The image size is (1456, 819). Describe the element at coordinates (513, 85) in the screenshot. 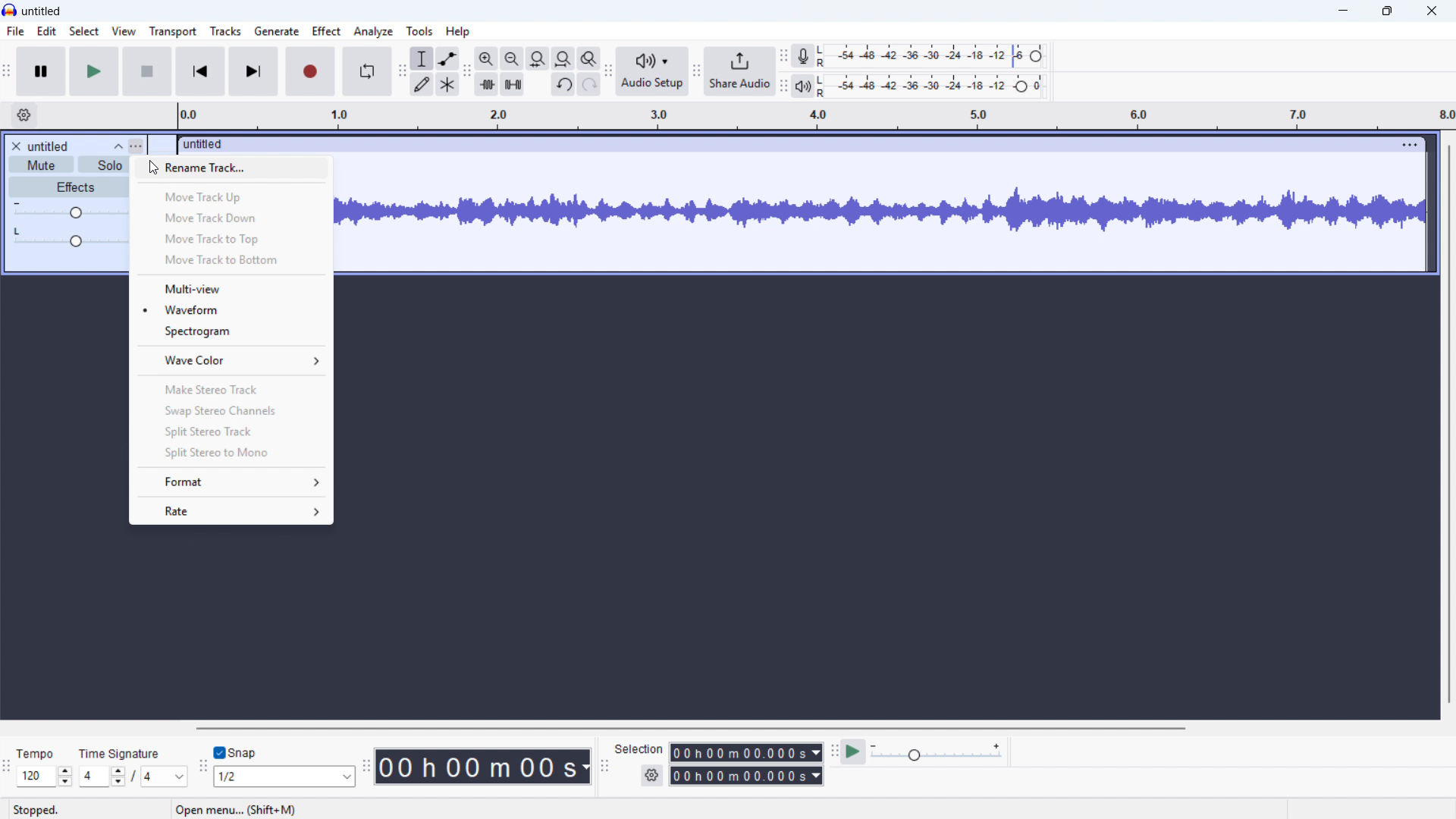

I see `Silence audio selection ` at that location.